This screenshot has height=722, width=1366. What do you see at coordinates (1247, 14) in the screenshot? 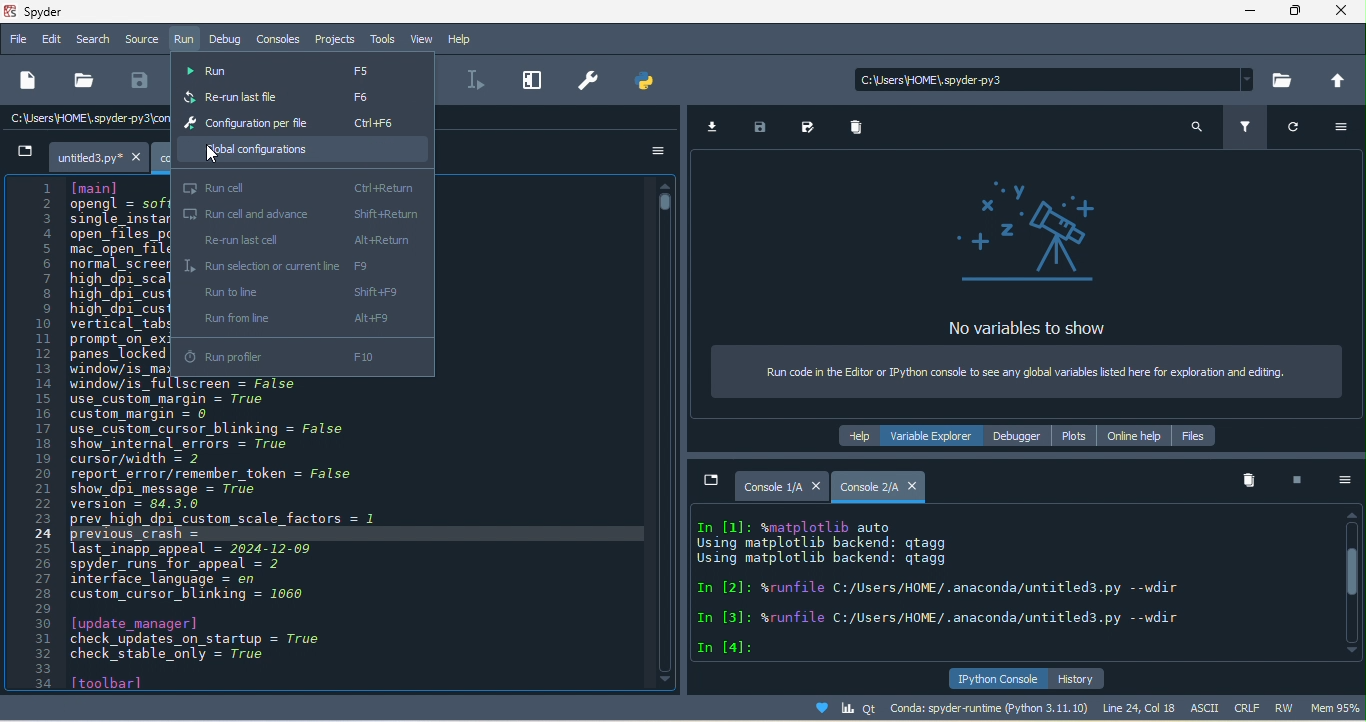
I see `minimize` at bounding box center [1247, 14].